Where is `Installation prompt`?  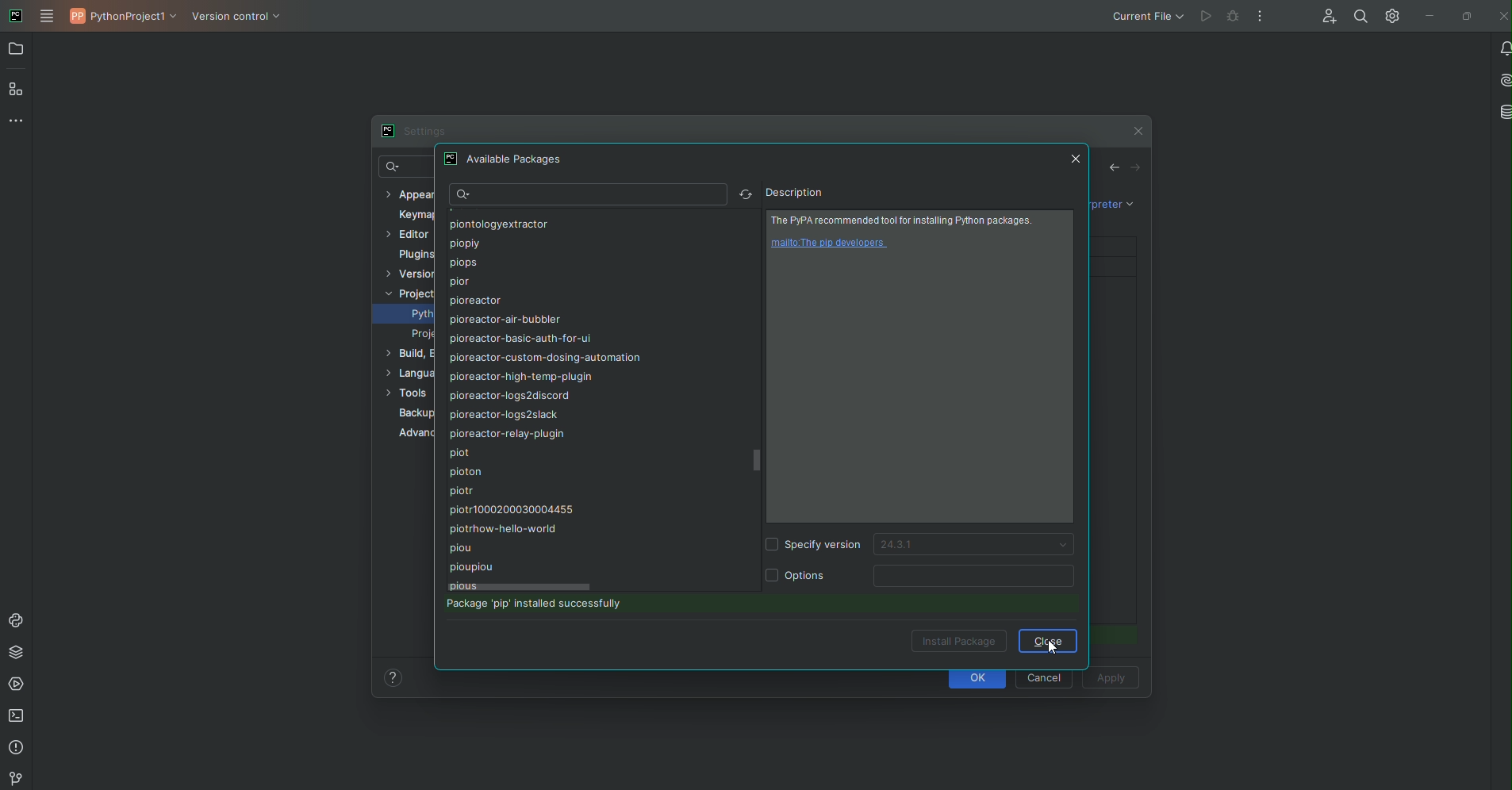
Installation prompt is located at coordinates (557, 606).